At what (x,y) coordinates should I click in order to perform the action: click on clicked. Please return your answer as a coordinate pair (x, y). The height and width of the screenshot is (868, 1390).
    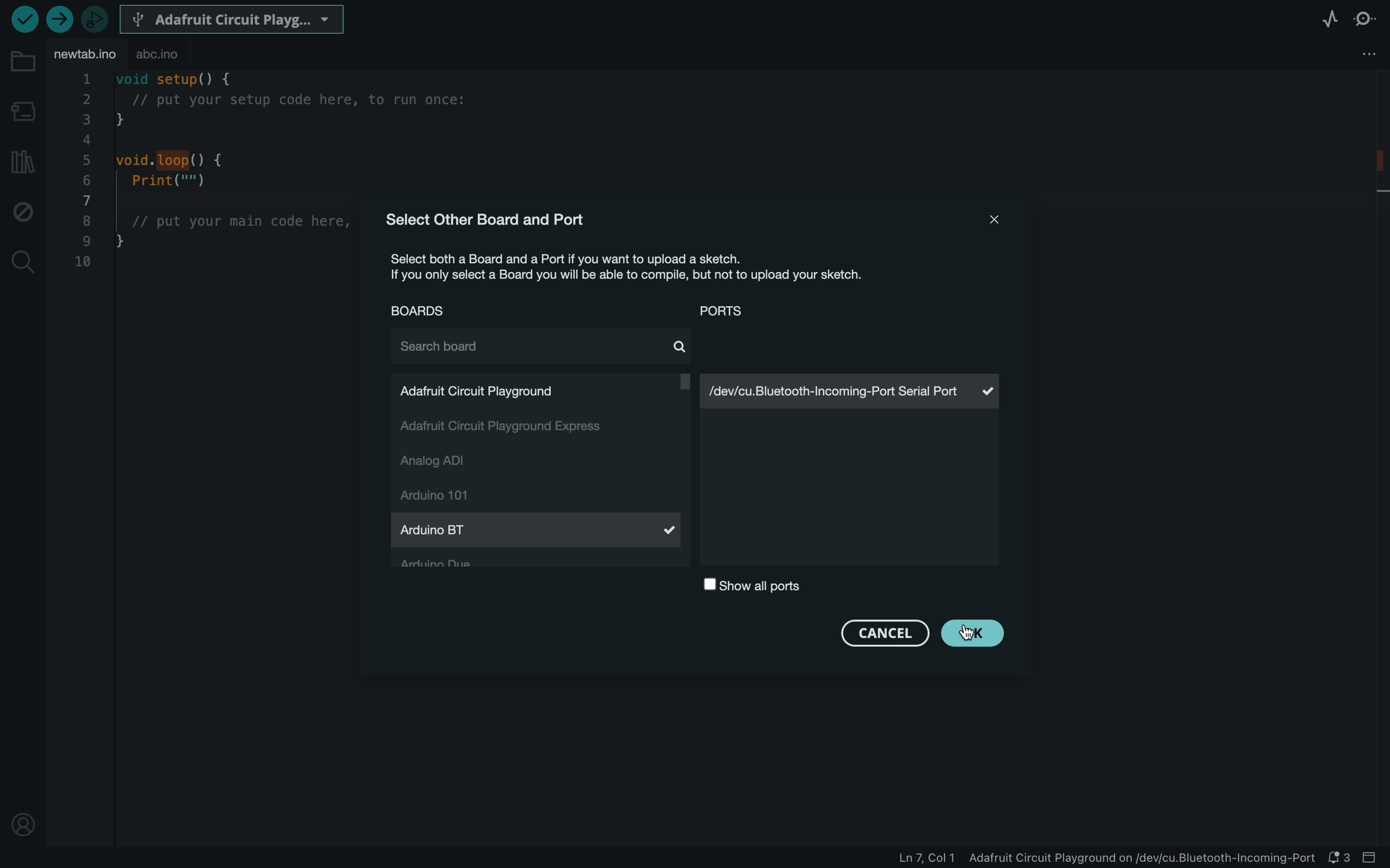
    Looking at the image, I should click on (971, 635).